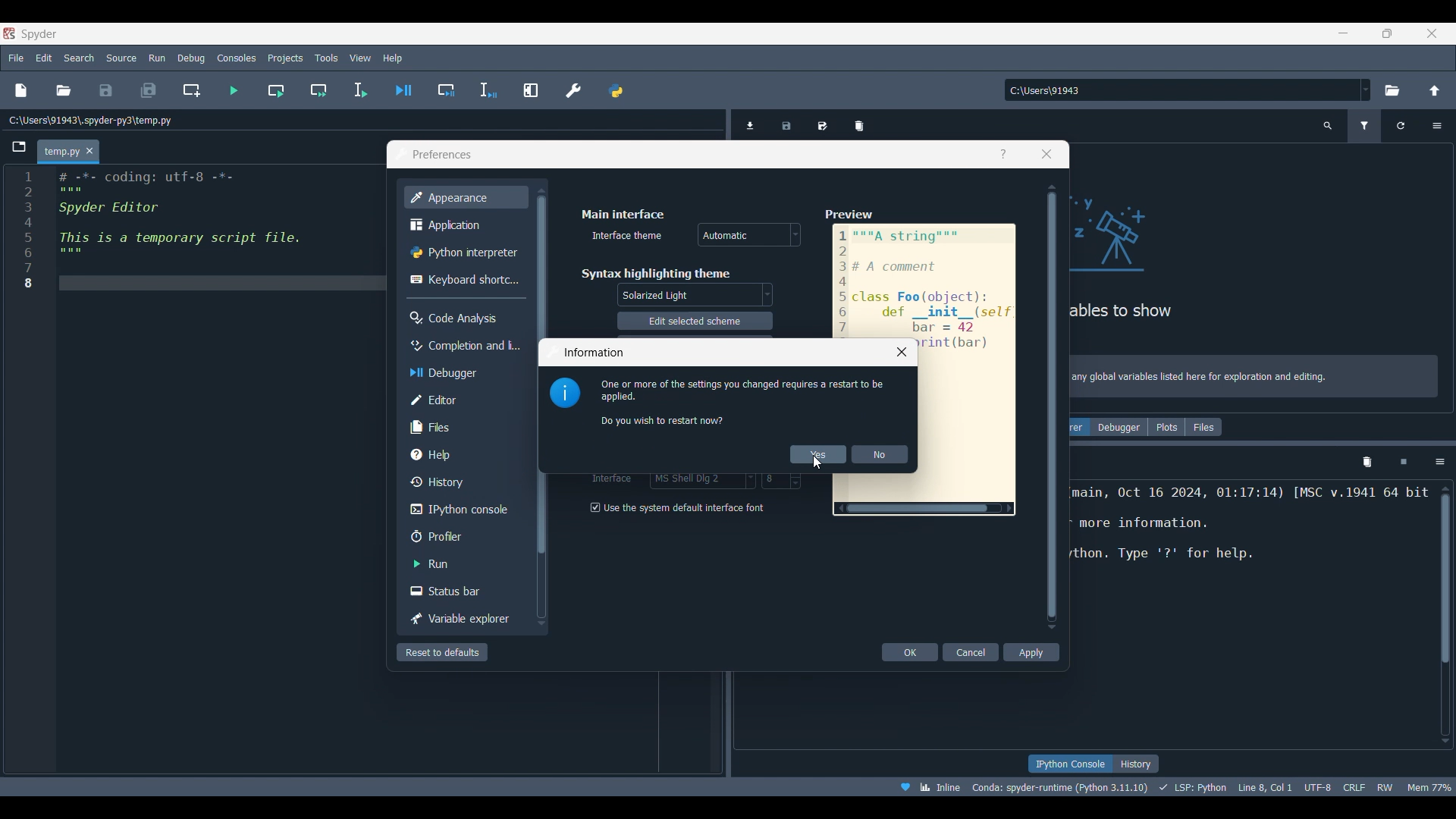 Image resolution: width=1456 pixels, height=819 pixels. What do you see at coordinates (1404, 463) in the screenshot?
I see `Interrupt kernel` at bounding box center [1404, 463].